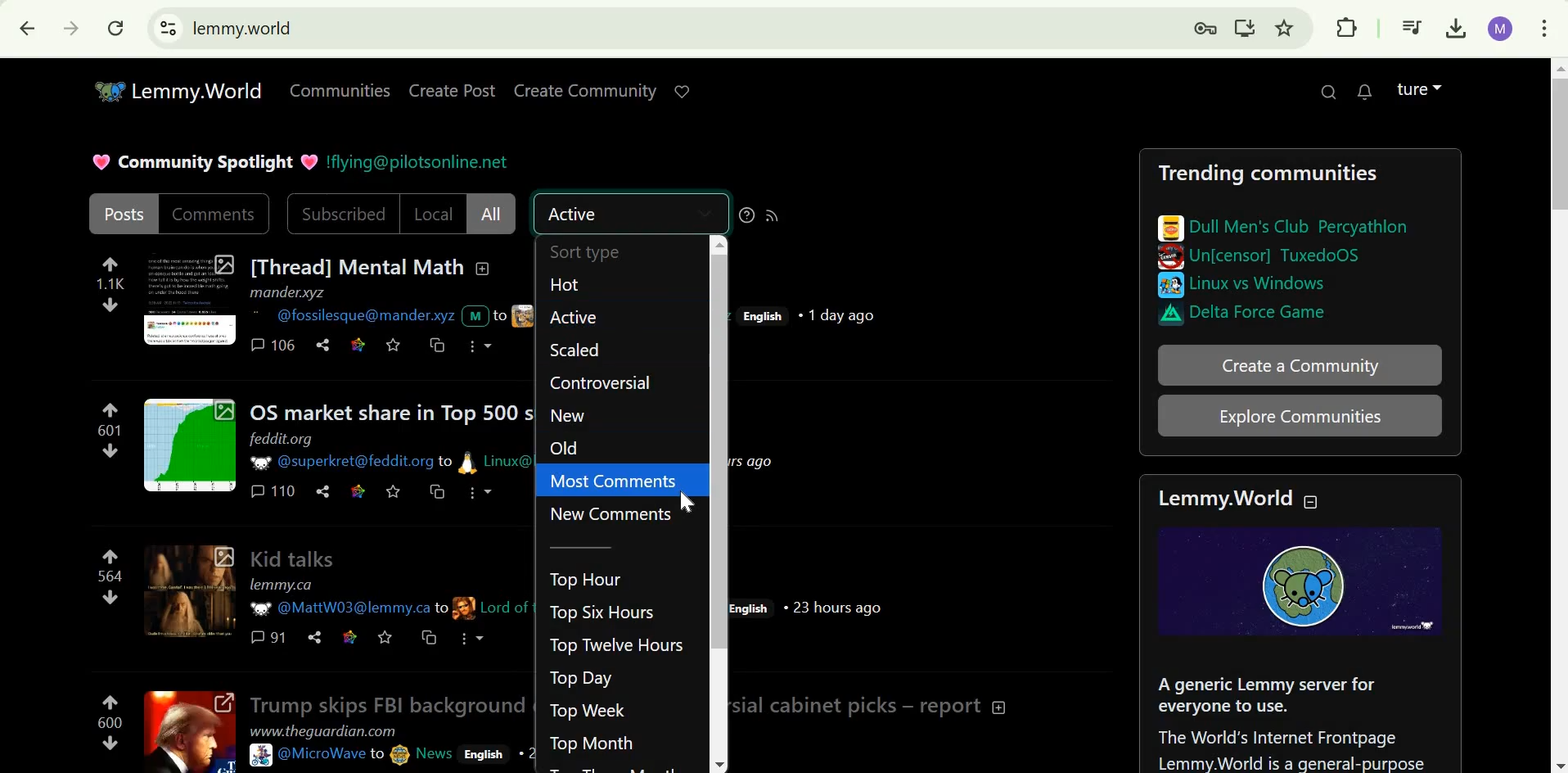  What do you see at coordinates (683, 91) in the screenshot?
I see `Support lemmy` at bounding box center [683, 91].